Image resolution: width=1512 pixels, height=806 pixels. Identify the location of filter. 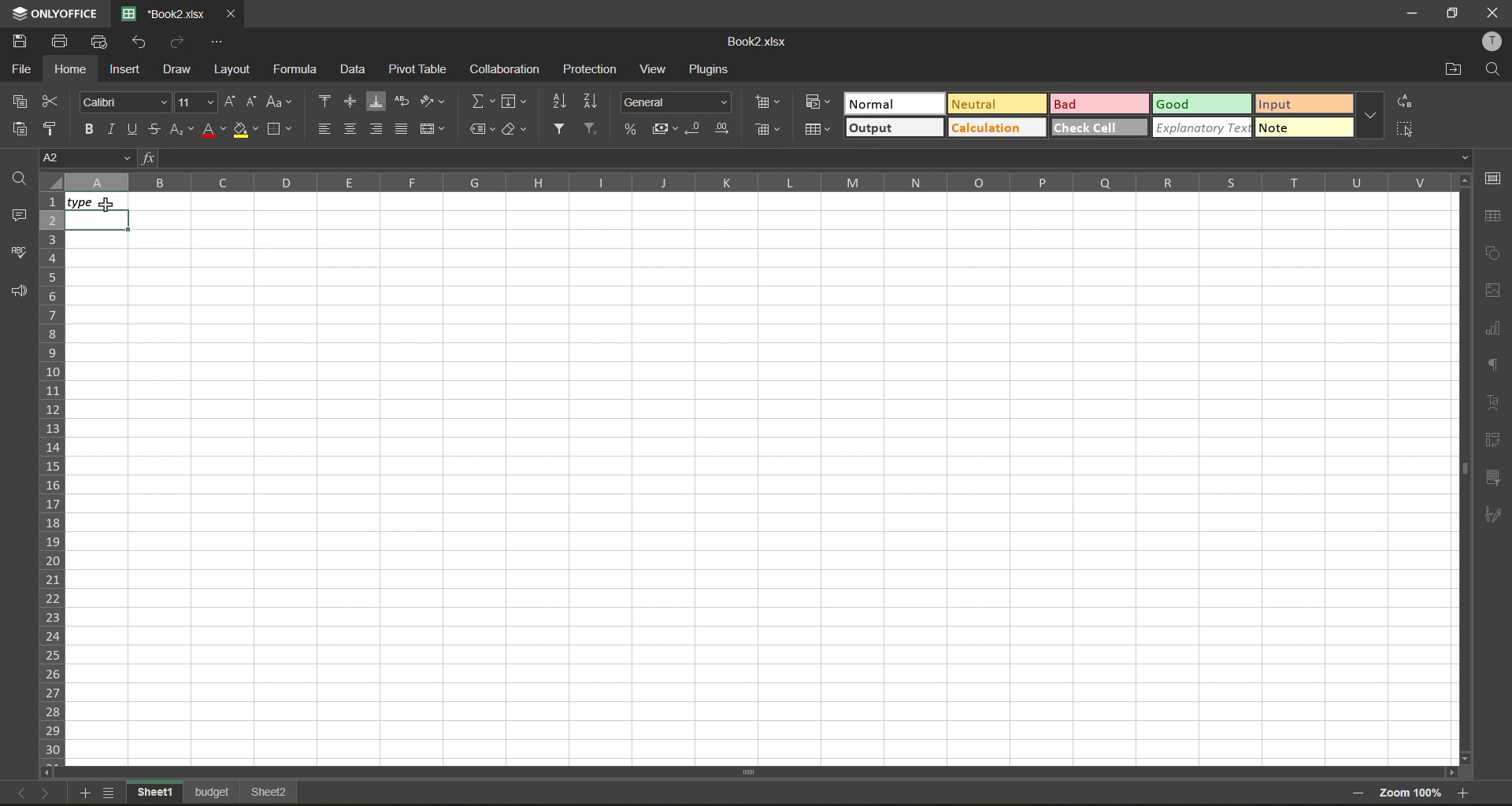
(559, 129).